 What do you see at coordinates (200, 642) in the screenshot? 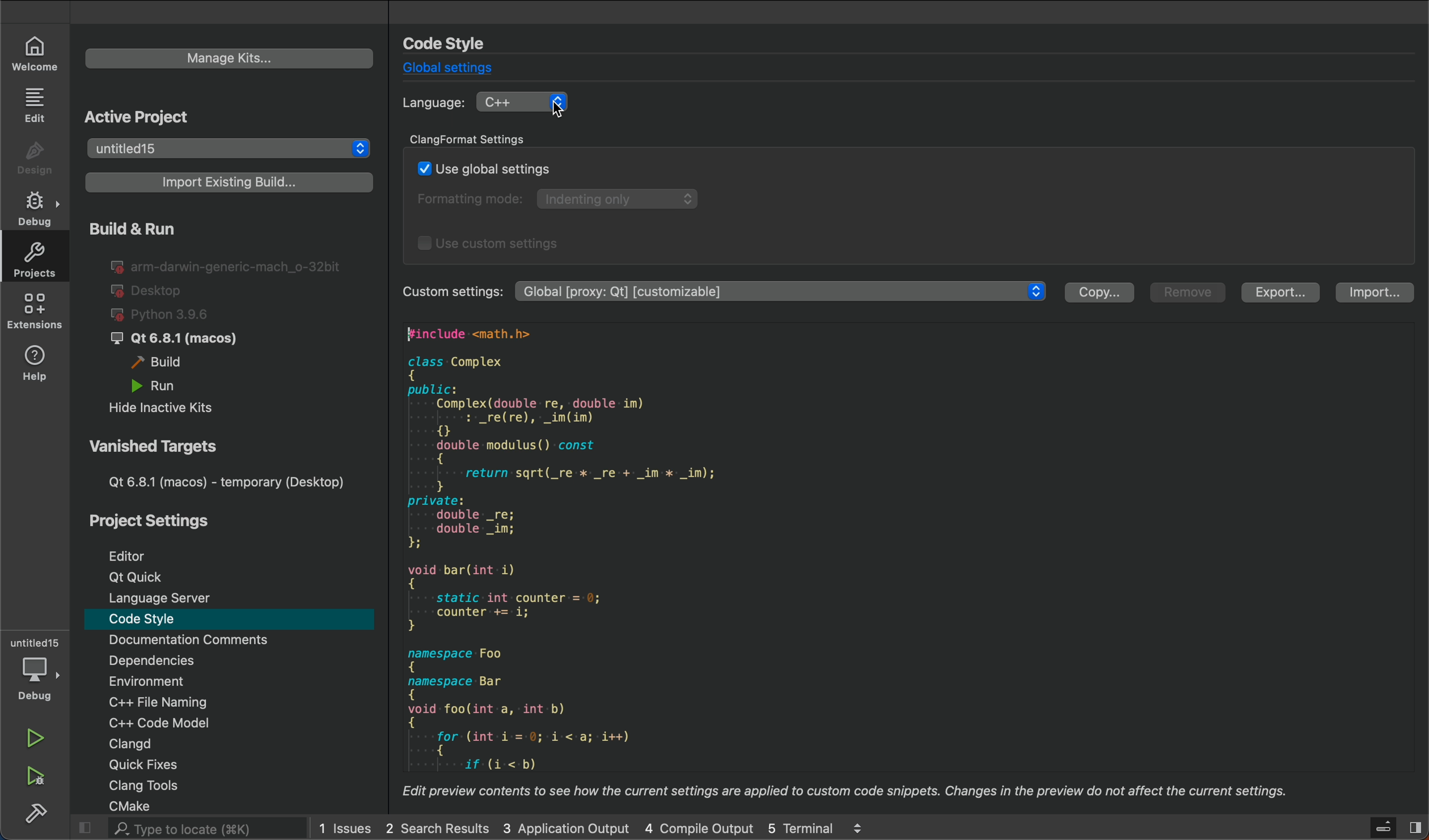
I see `` at bounding box center [200, 642].